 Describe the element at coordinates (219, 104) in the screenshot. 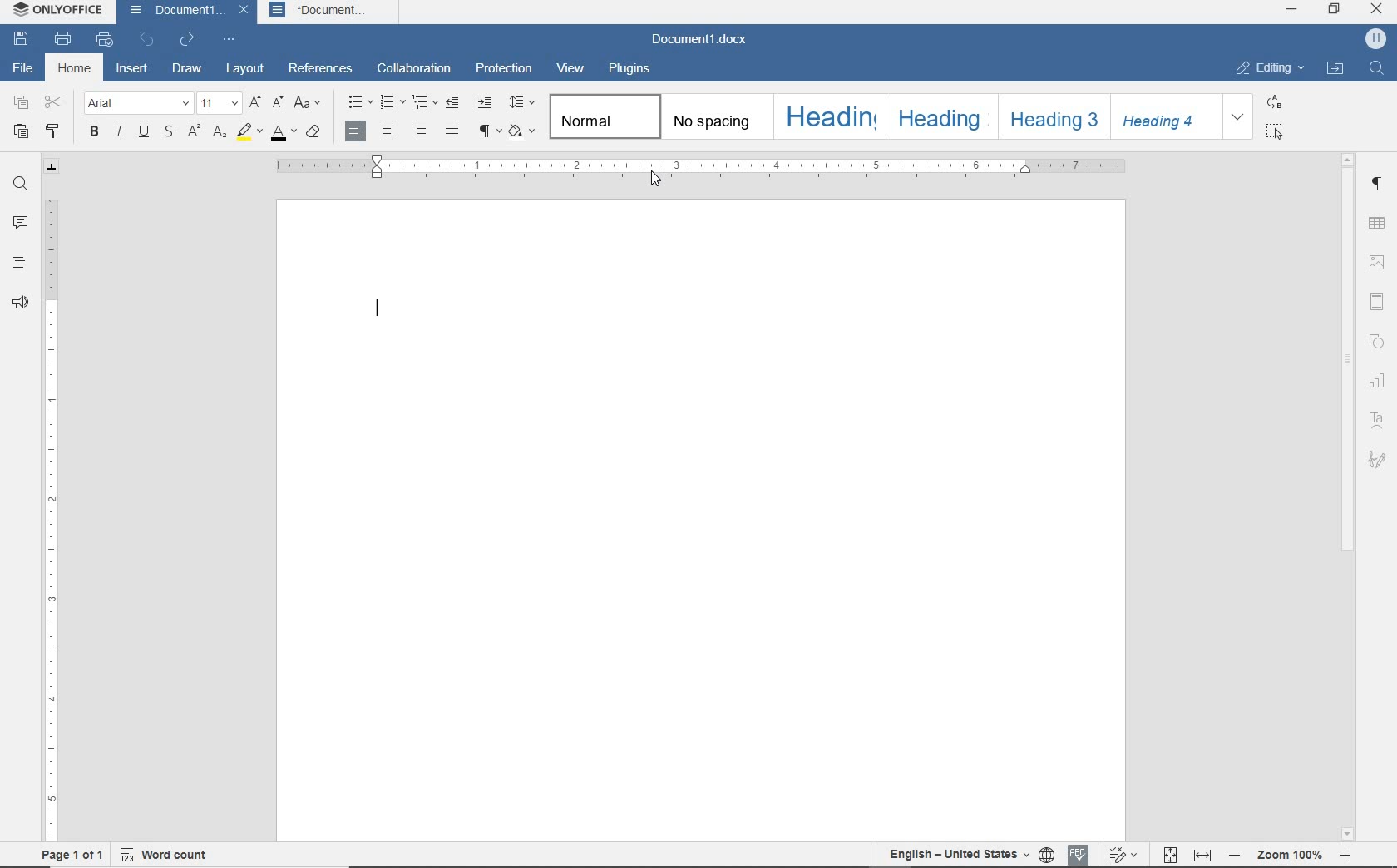

I see `FONT SIZE` at that location.